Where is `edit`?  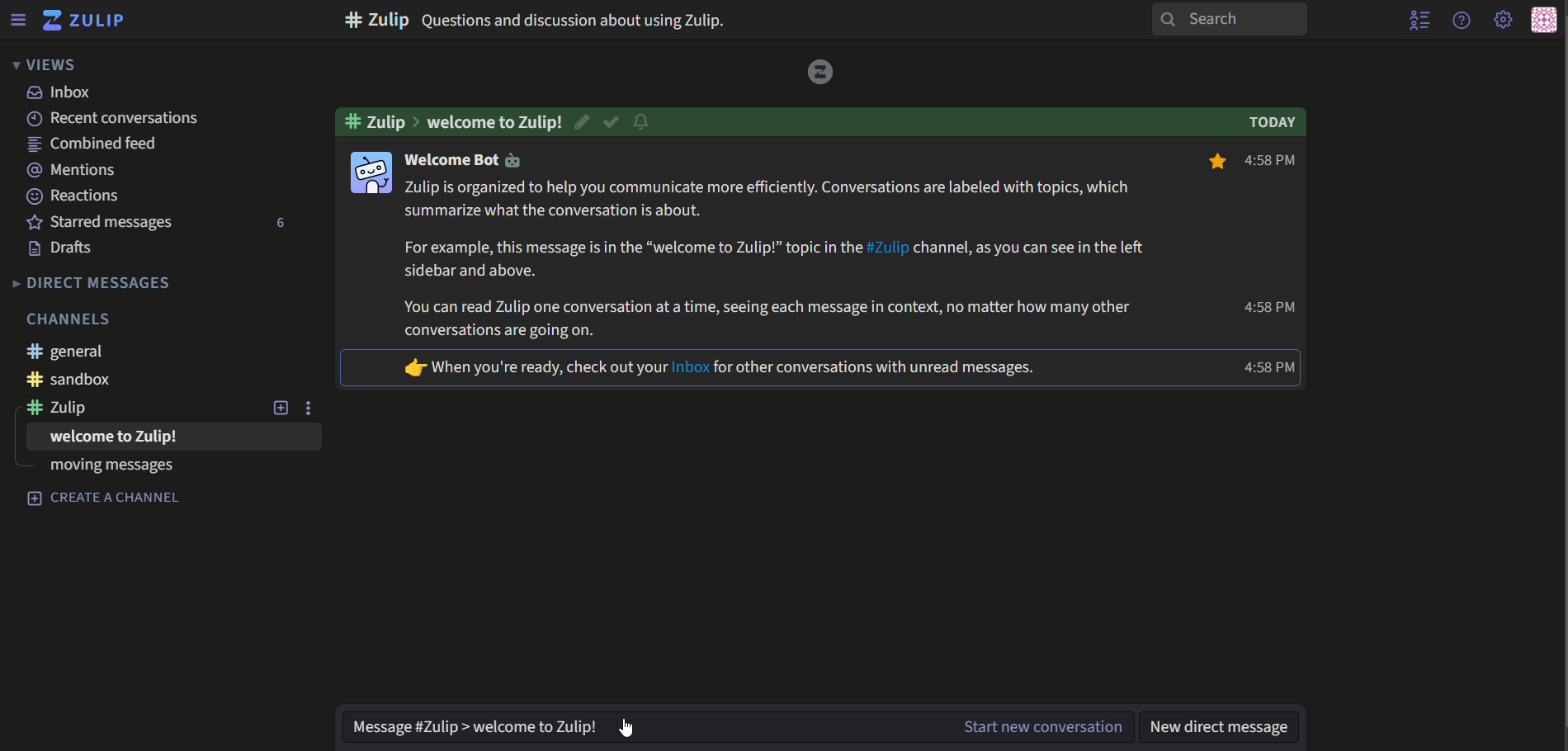 edit is located at coordinates (585, 121).